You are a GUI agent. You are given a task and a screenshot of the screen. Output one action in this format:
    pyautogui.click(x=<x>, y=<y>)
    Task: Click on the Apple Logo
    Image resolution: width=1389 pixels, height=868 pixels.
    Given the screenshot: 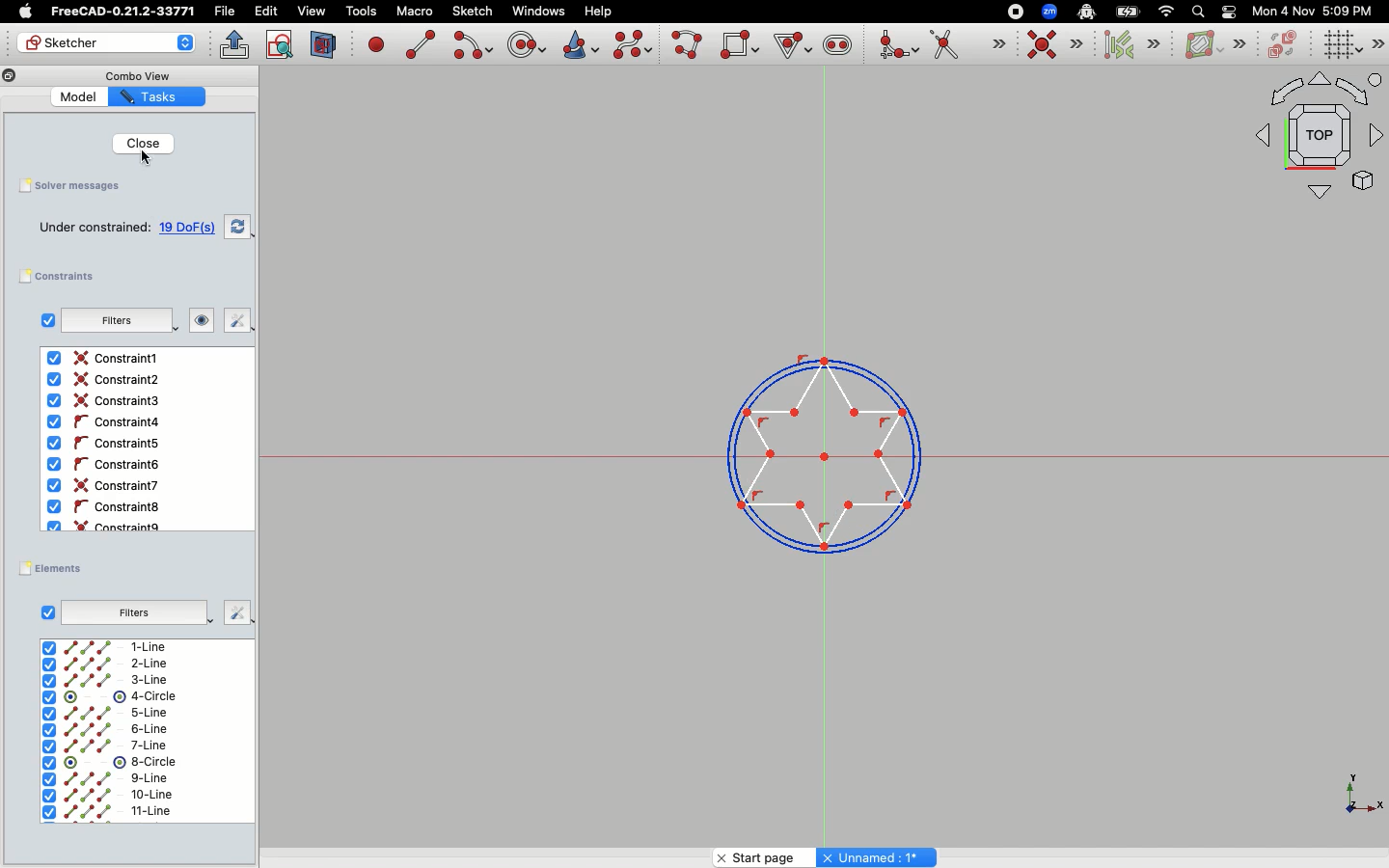 What is the action you would take?
    pyautogui.click(x=23, y=12)
    